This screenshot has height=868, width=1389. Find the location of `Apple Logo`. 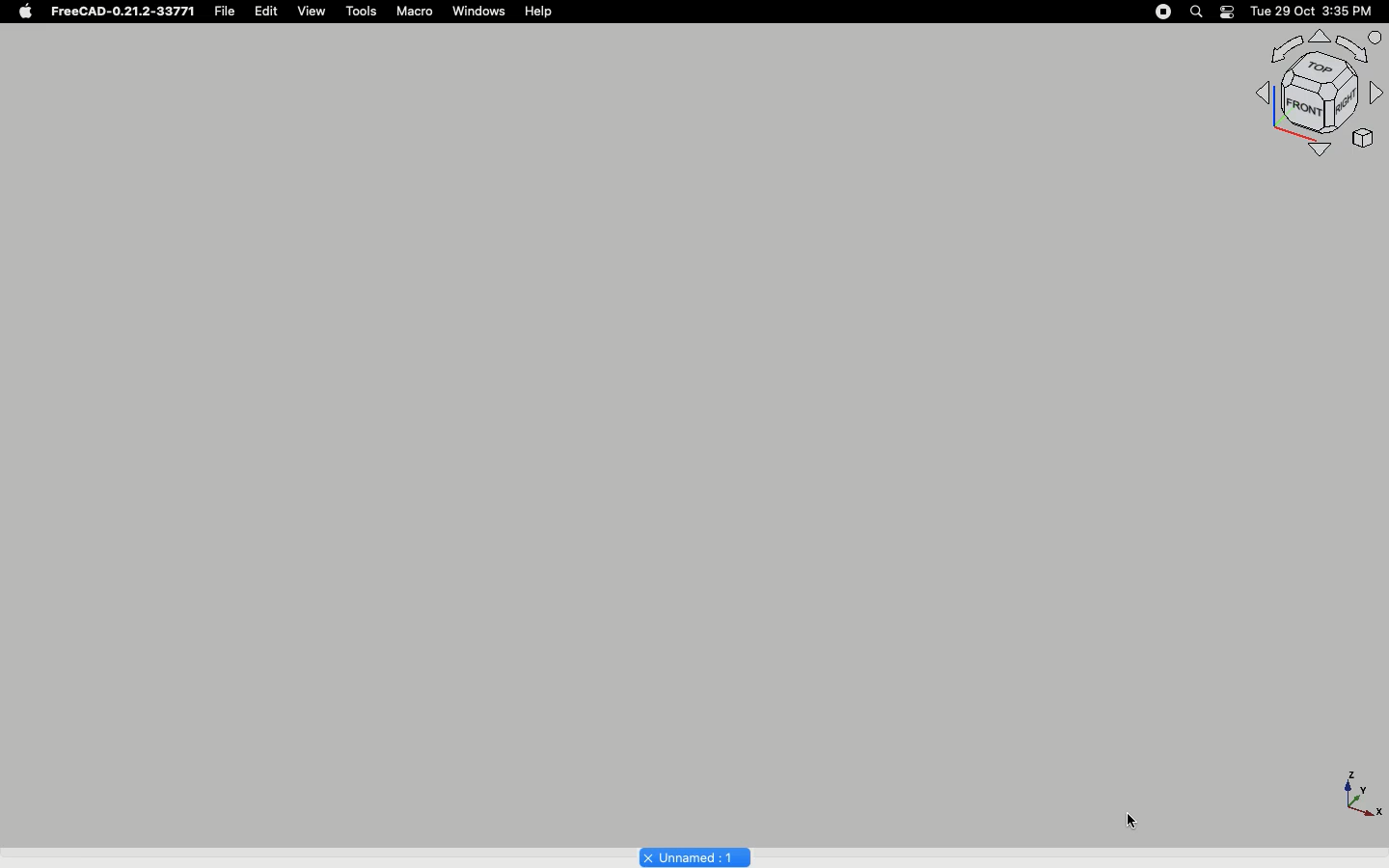

Apple Logo is located at coordinates (27, 12).